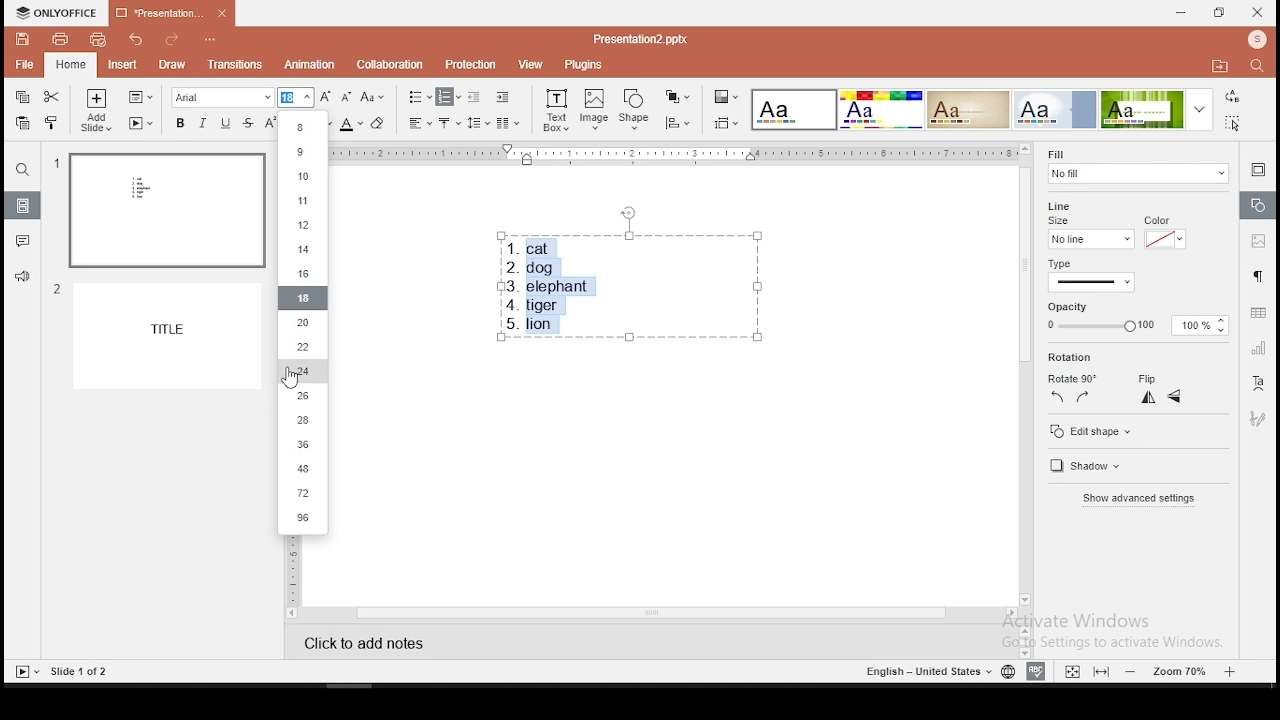 This screenshot has height=720, width=1280. What do you see at coordinates (141, 122) in the screenshot?
I see `start slideshow` at bounding box center [141, 122].